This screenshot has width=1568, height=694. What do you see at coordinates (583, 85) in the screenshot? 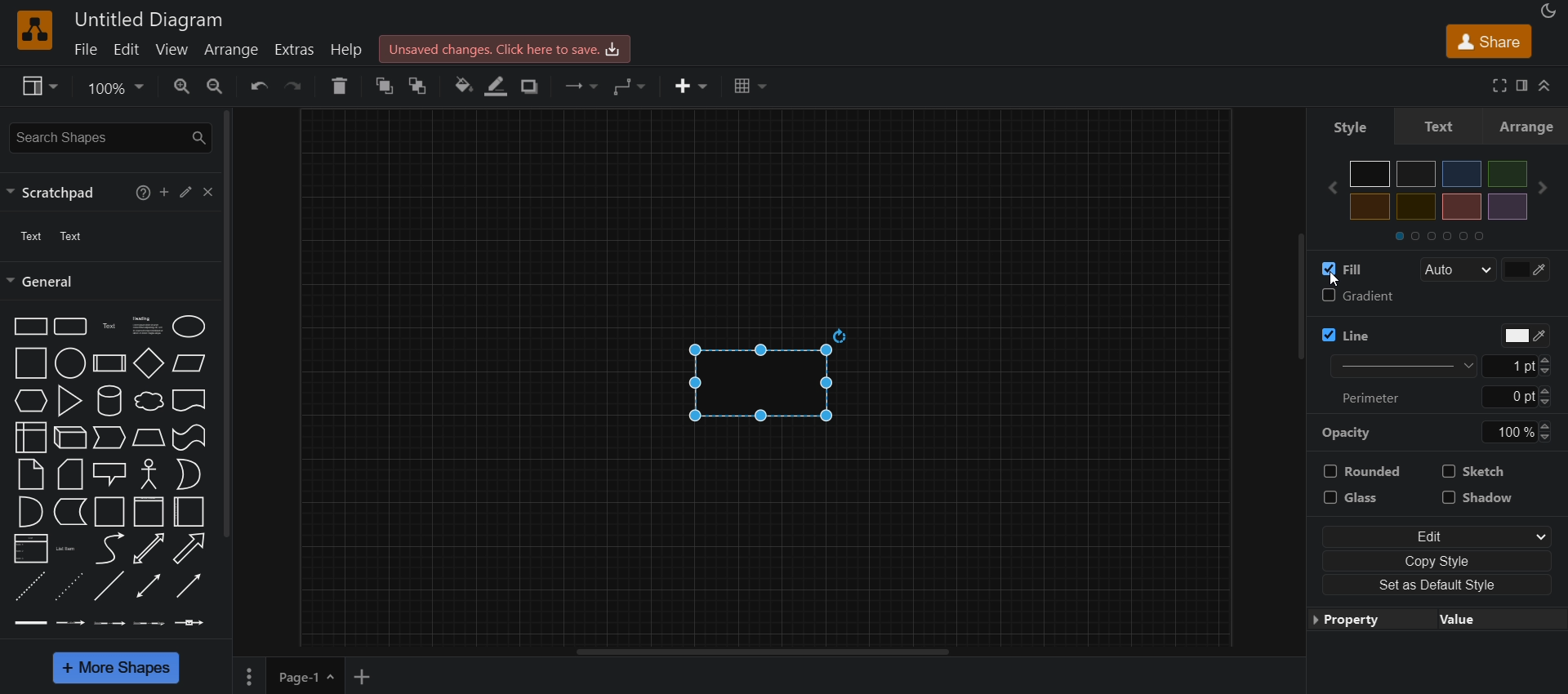
I see `connection` at bounding box center [583, 85].